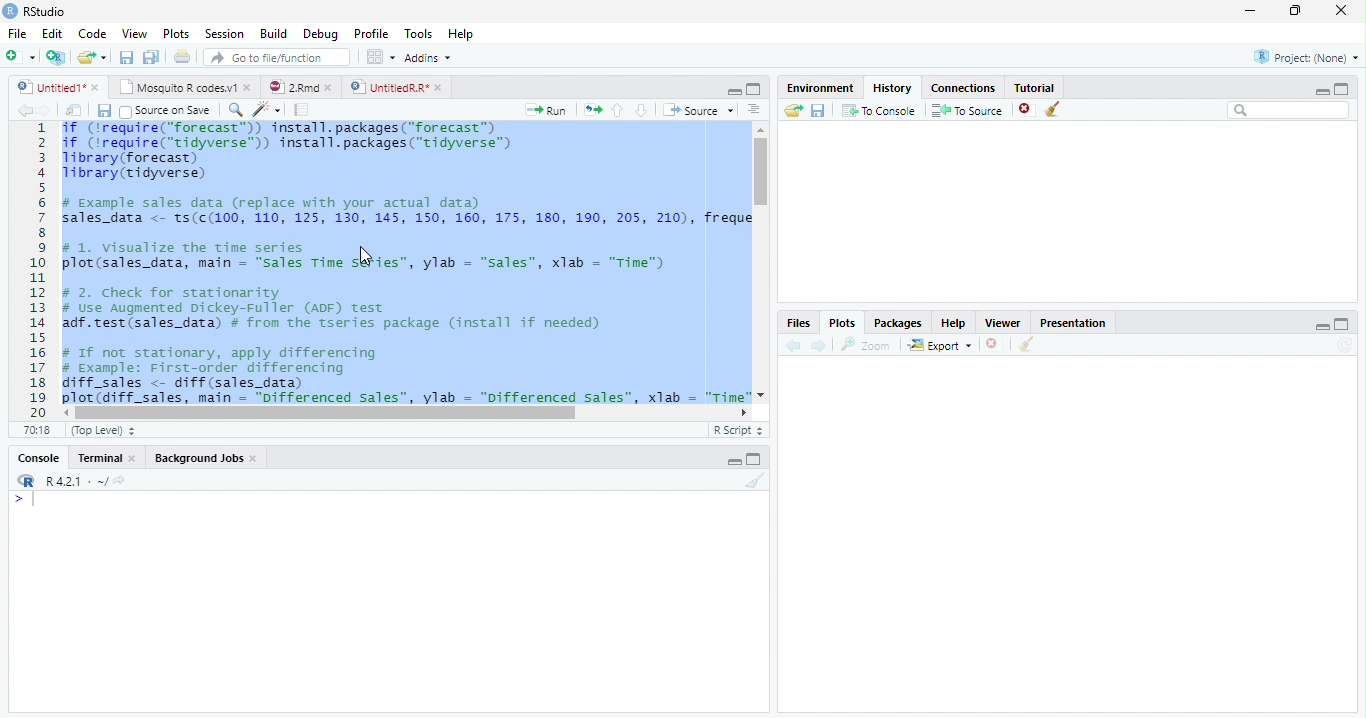 Image resolution: width=1366 pixels, height=718 pixels. Describe the element at coordinates (1321, 89) in the screenshot. I see `Minimize` at that location.